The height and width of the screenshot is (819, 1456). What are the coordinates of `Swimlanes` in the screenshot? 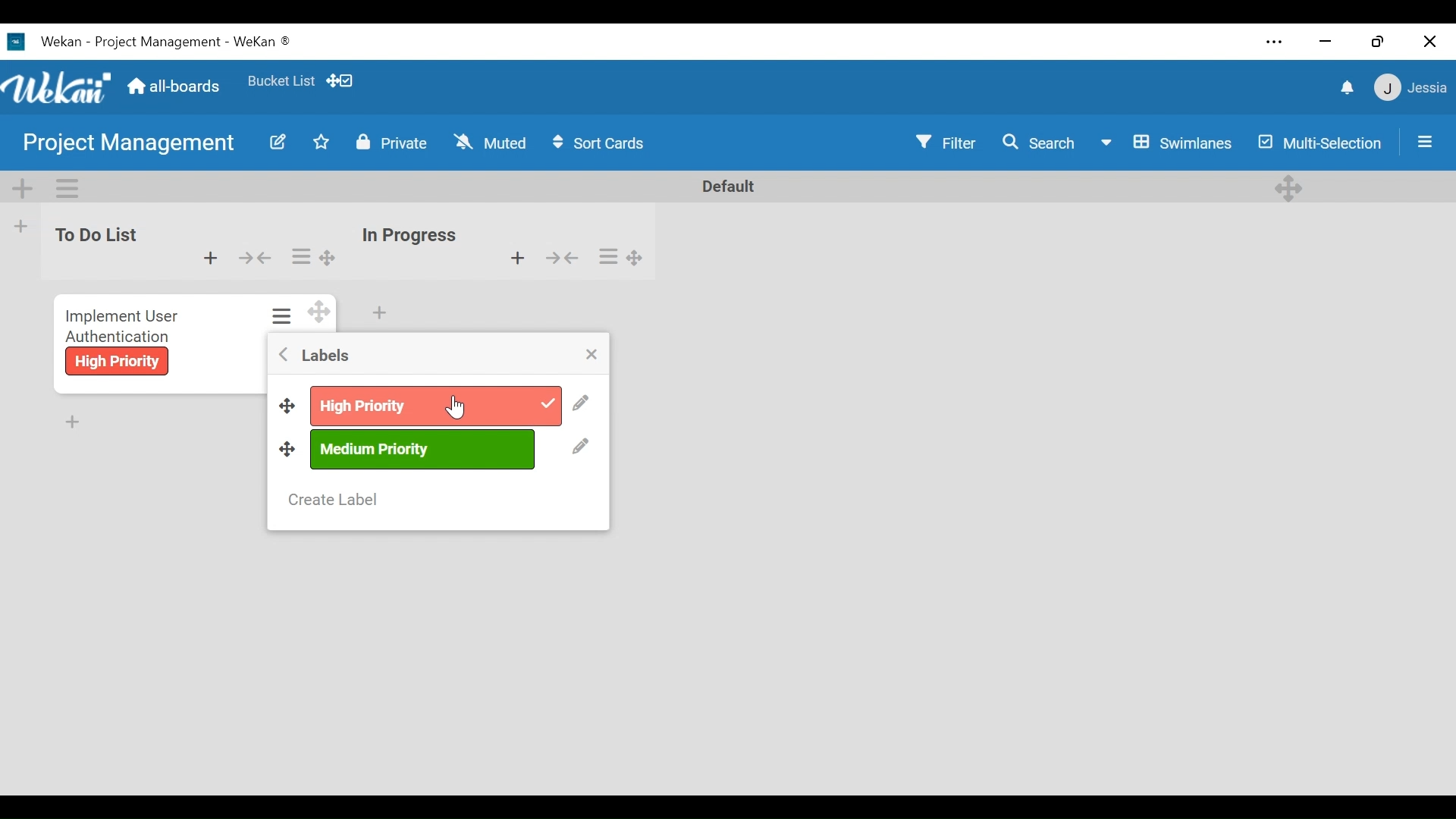 It's located at (1166, 141).